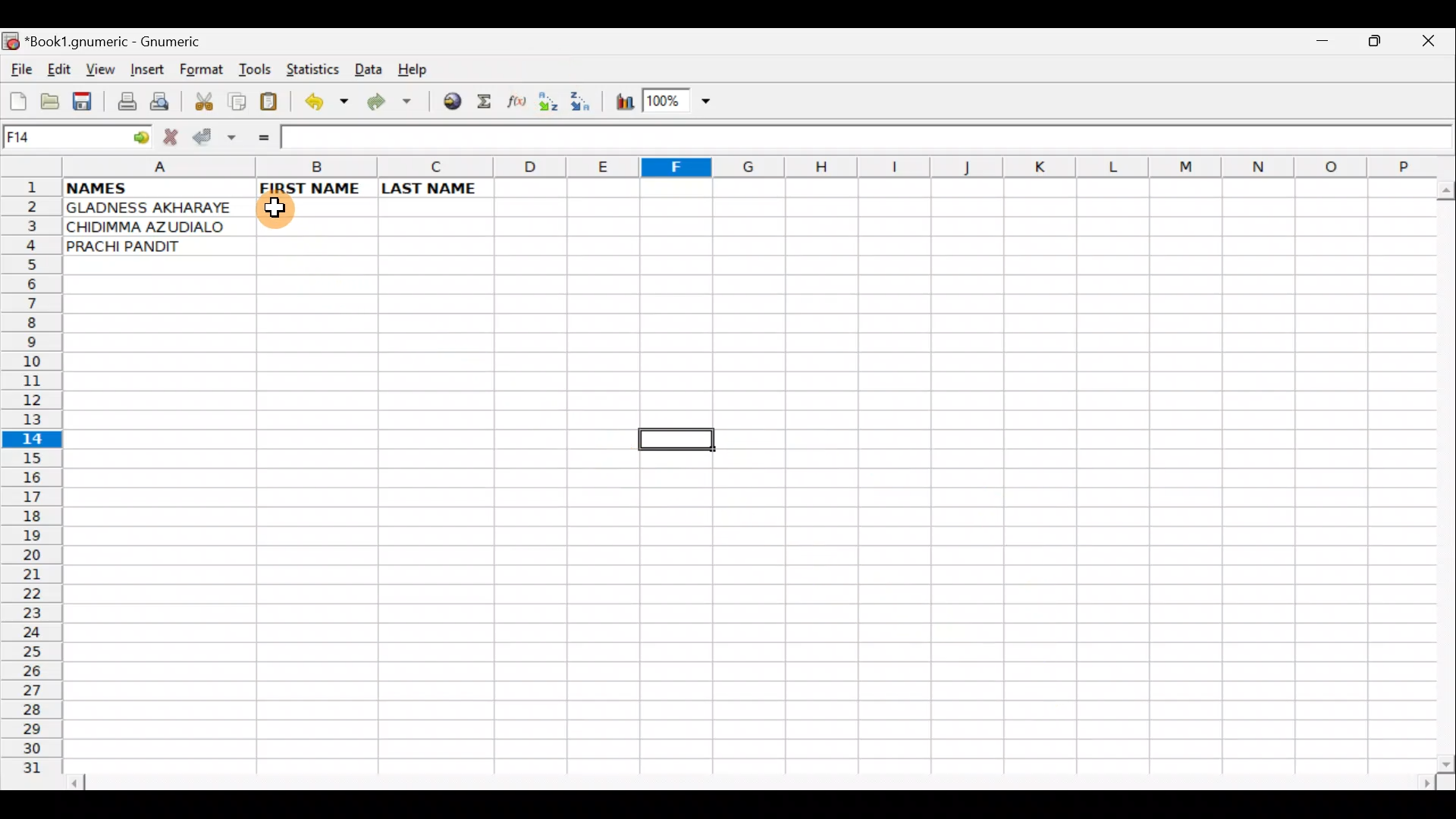  What do you see at coordinates (147, 247) in the screenshot?
I see `PRACHI PANDIT` at bounding box center [147, 247].